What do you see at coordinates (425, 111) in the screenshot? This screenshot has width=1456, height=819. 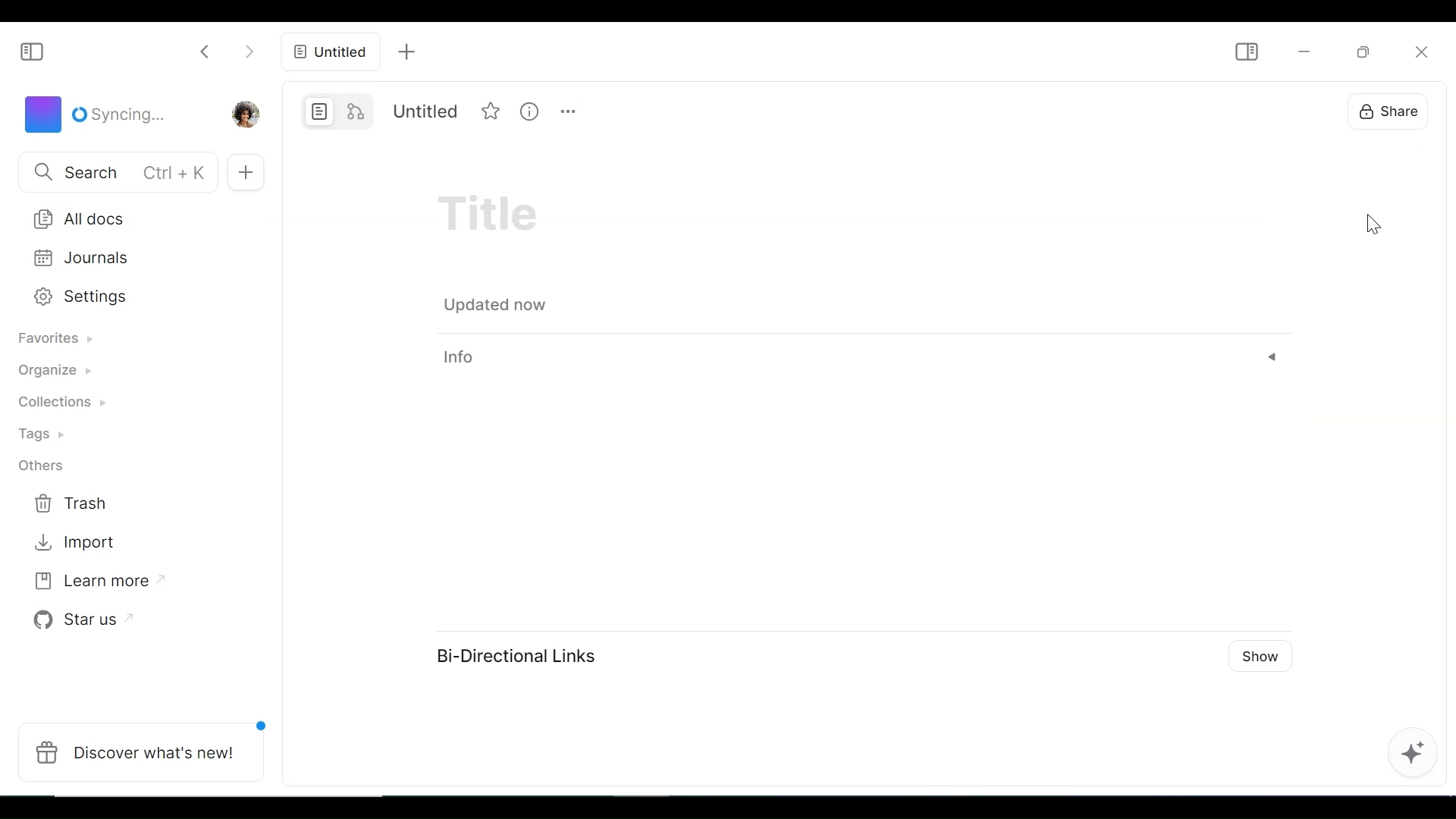 I see `Title` at bounding box center [425, 111].